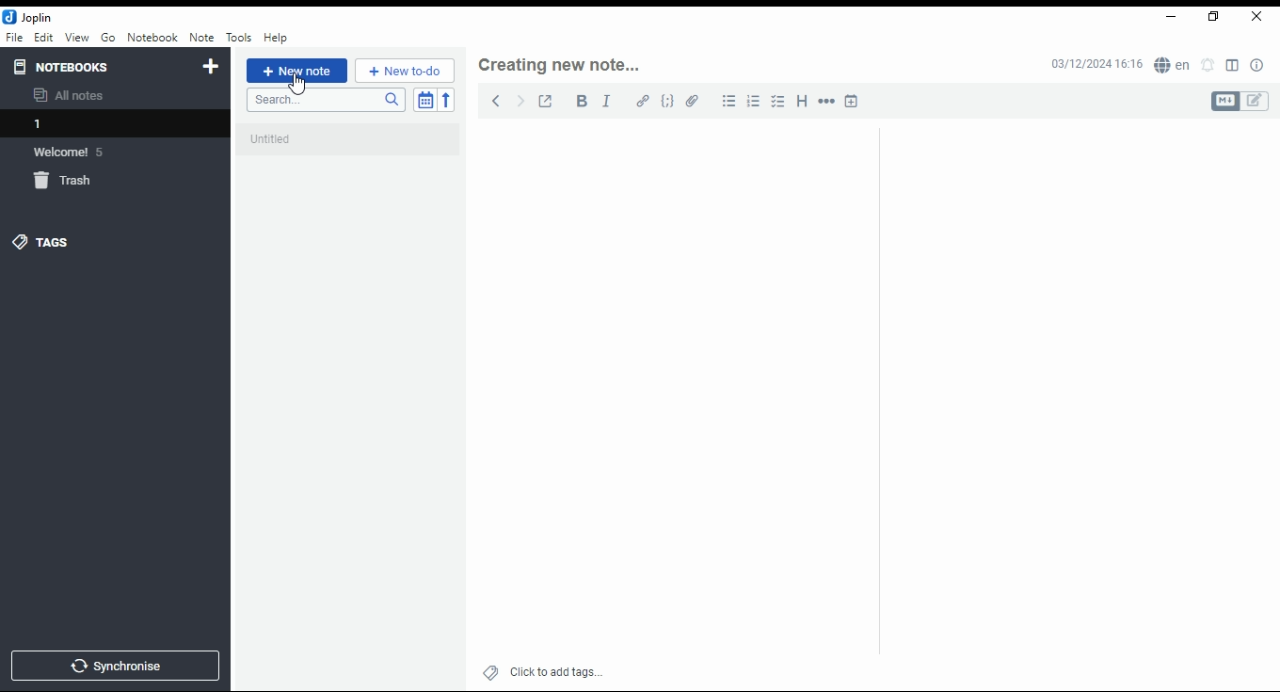 Image resolution: width=1280 pixels, height=692 pixels. What do you see at coordinates (1209, 65) in the screenshot?
I see `set alarm` at bounding box center [1209, 65].